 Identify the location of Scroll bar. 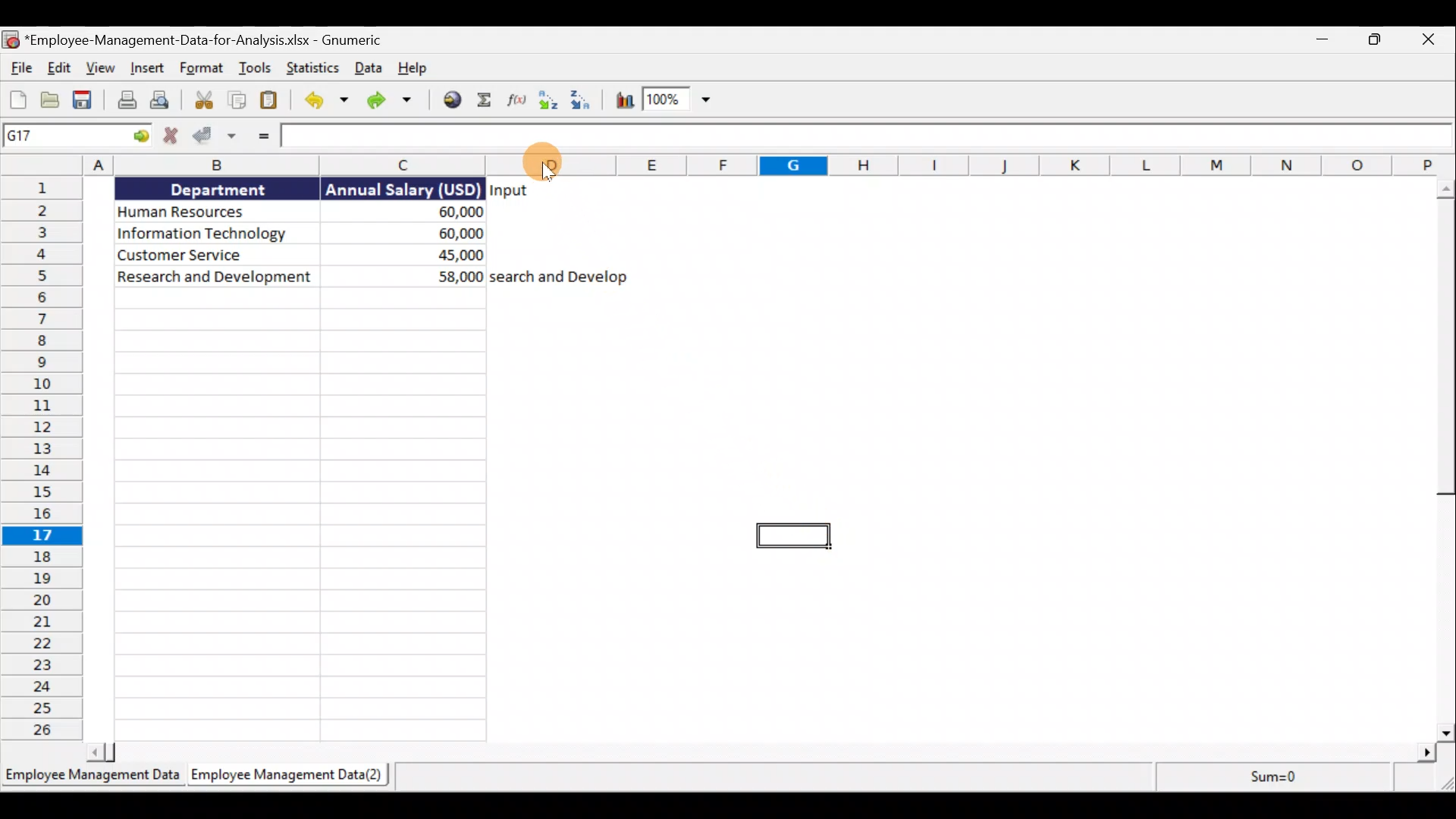
(1446, 460).